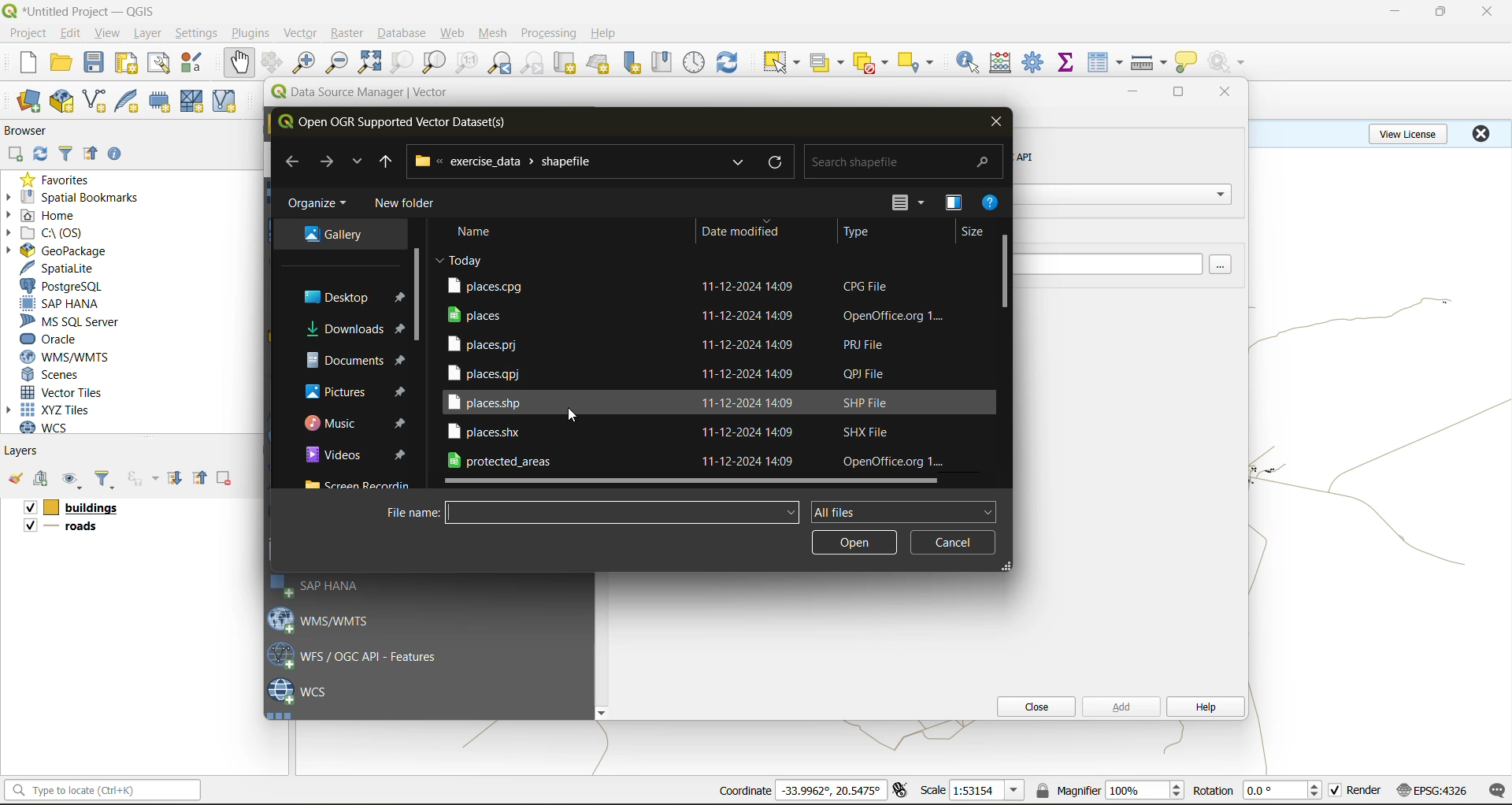 The width and height of the screenshot is (1512, 805). I want to click on folder explorer, so click(343, 297).